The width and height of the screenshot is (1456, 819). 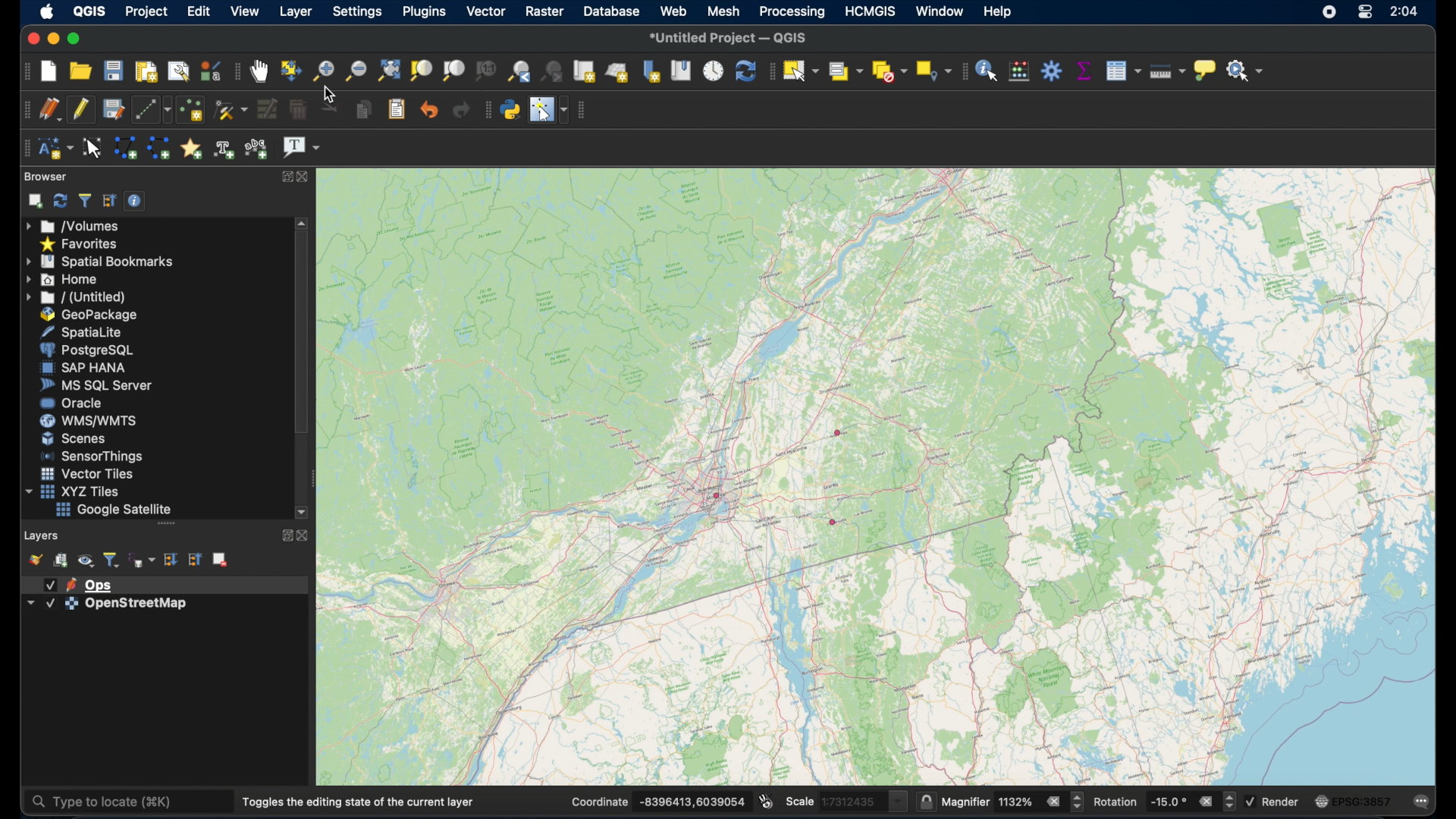 What do you see at coordinates (64, 280) in the screenshot?
I see `home` at bounding box center [64, 280].